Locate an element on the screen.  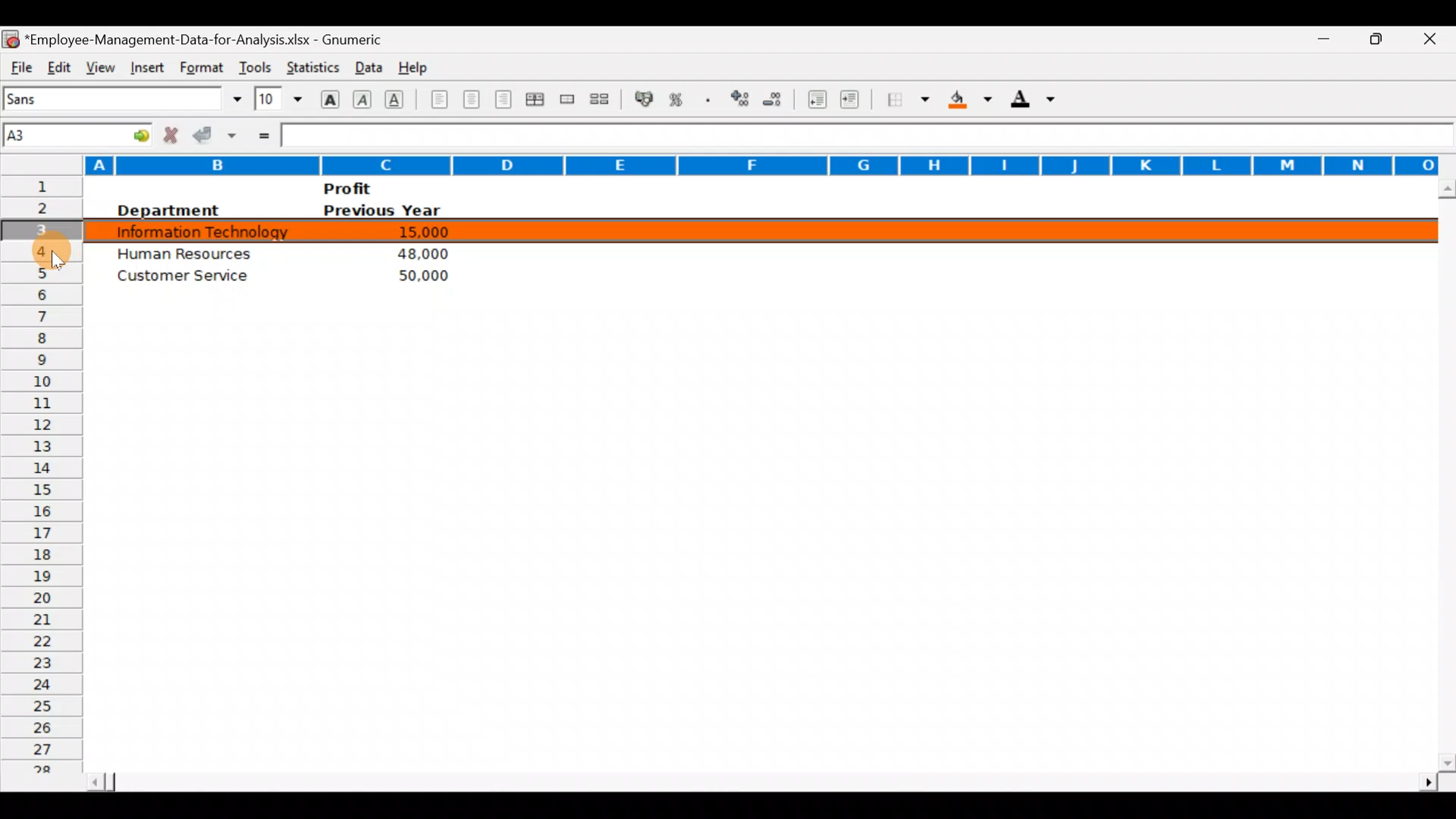
50,000 is located at coordinates (417, 275).